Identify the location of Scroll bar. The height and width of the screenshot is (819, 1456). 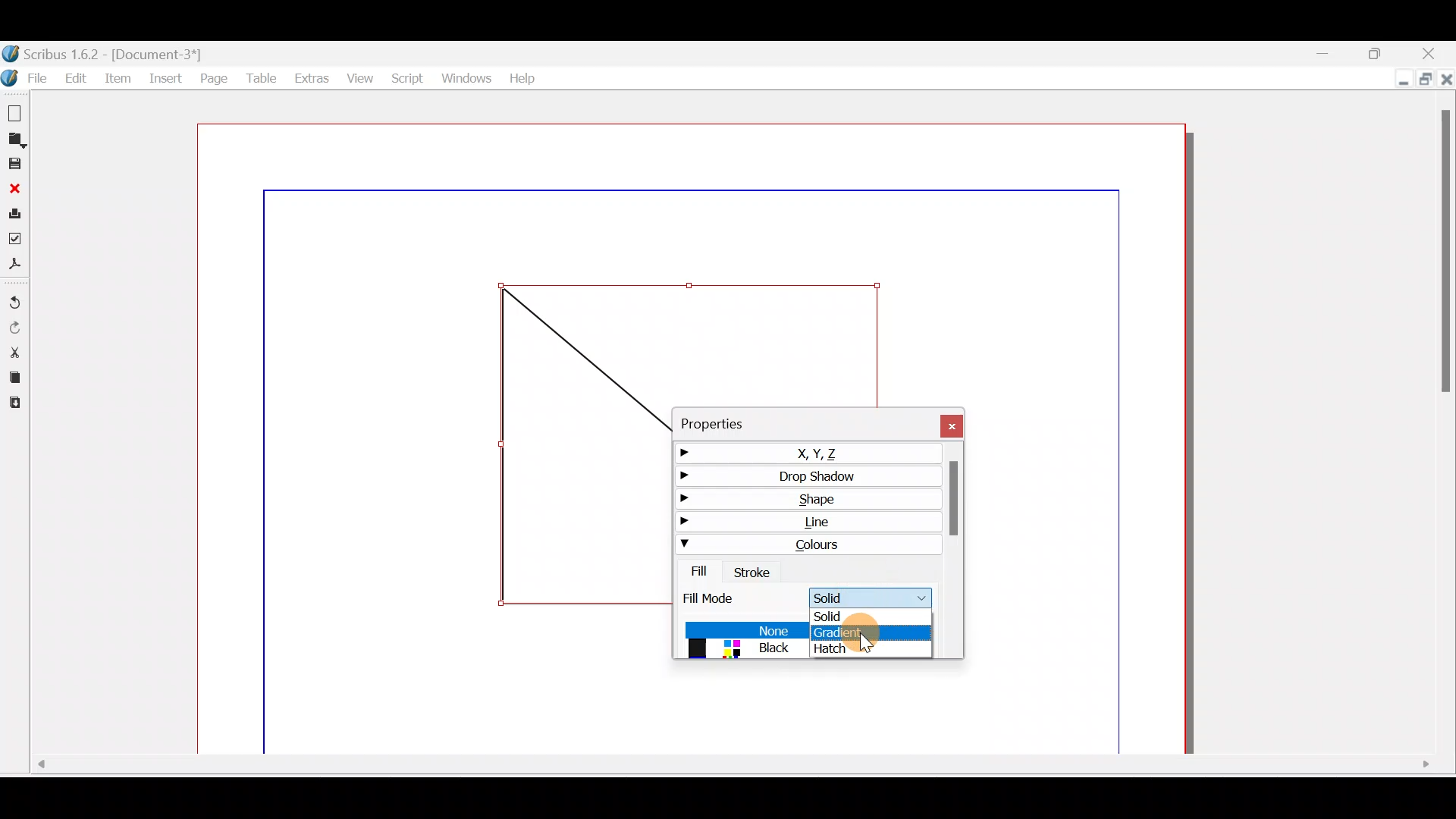
(954, 554).